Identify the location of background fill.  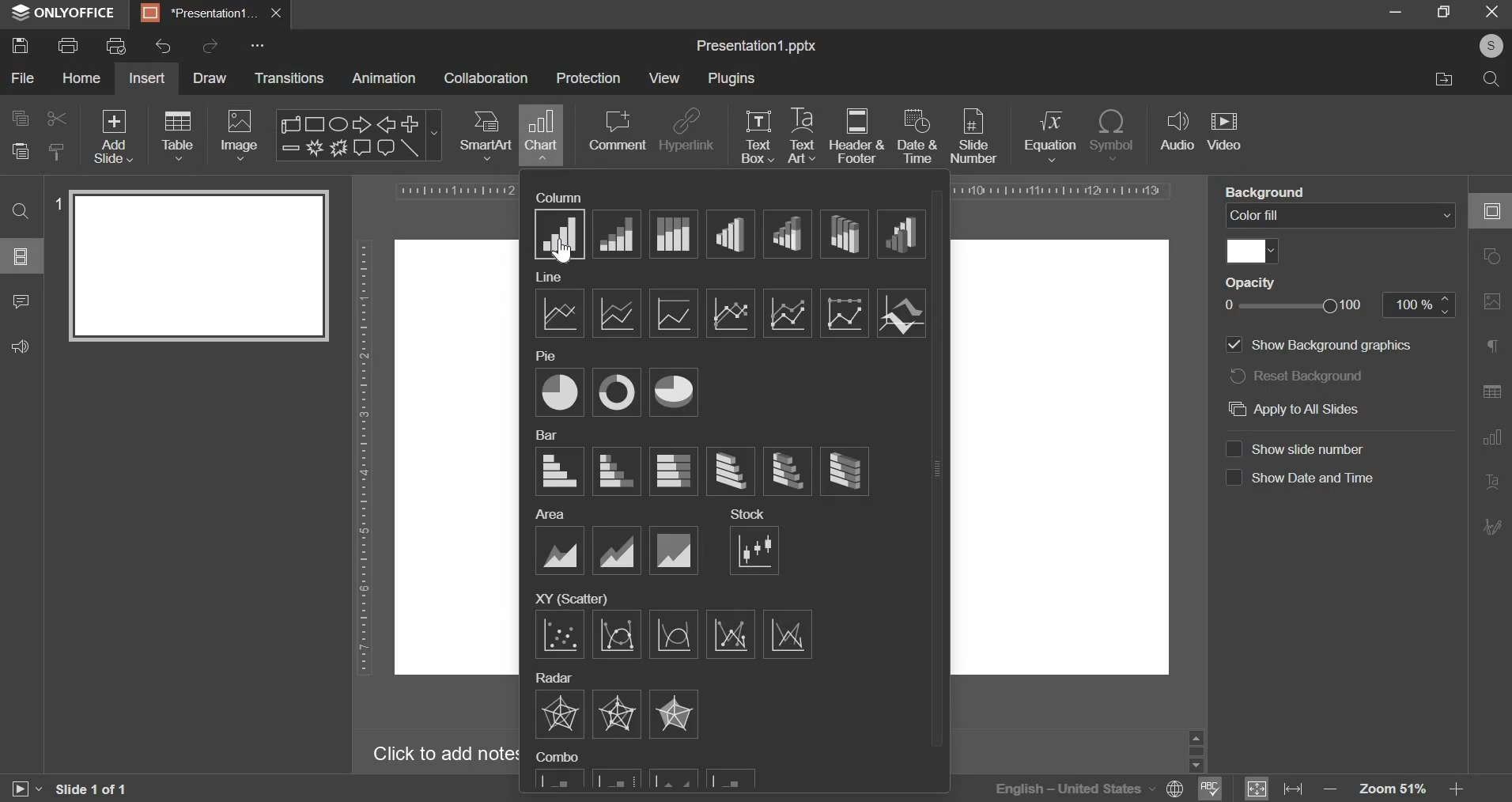
(1342, 216).